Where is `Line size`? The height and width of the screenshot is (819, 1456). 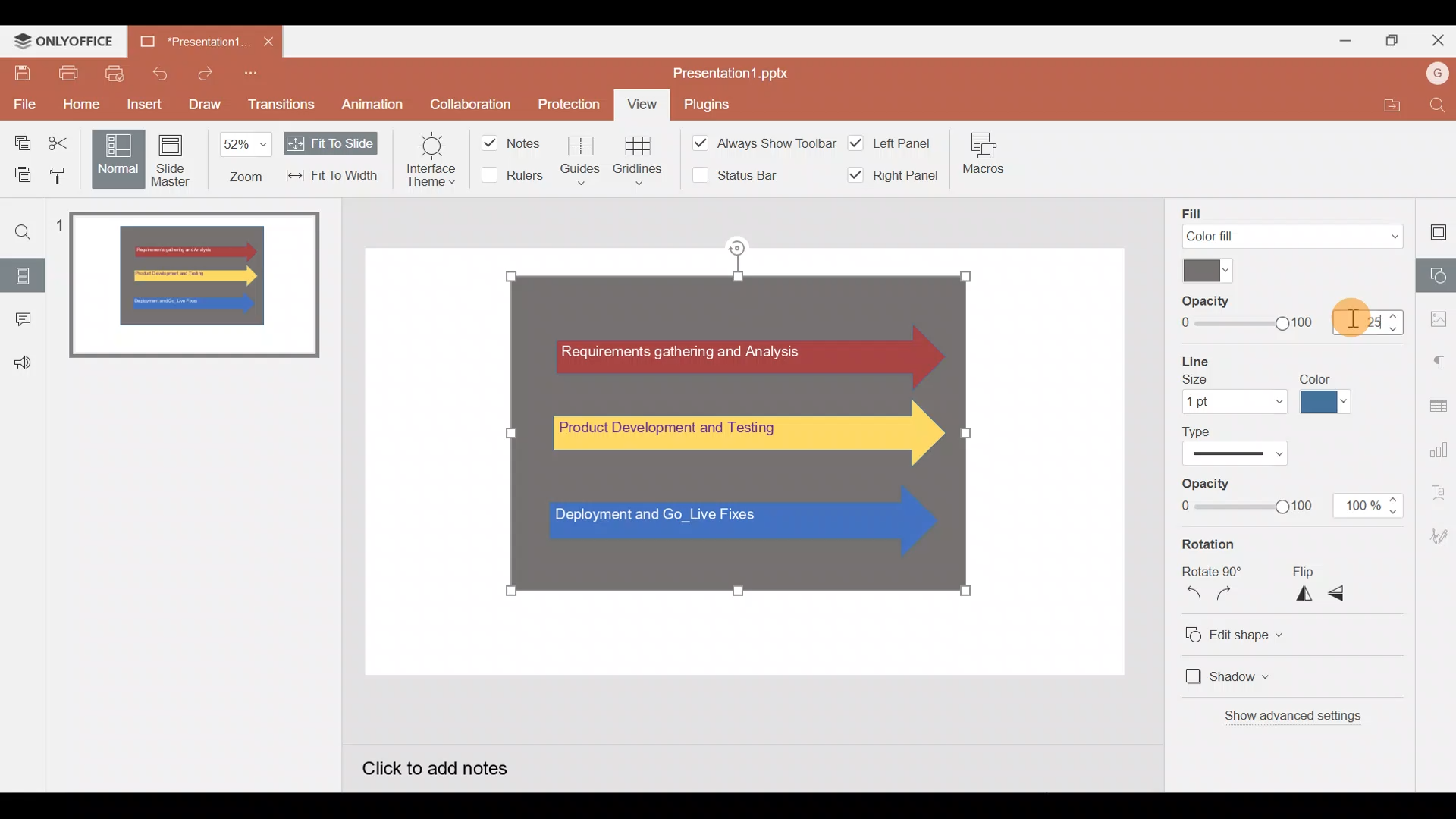 Line size is located at coordinates (1229, 383).